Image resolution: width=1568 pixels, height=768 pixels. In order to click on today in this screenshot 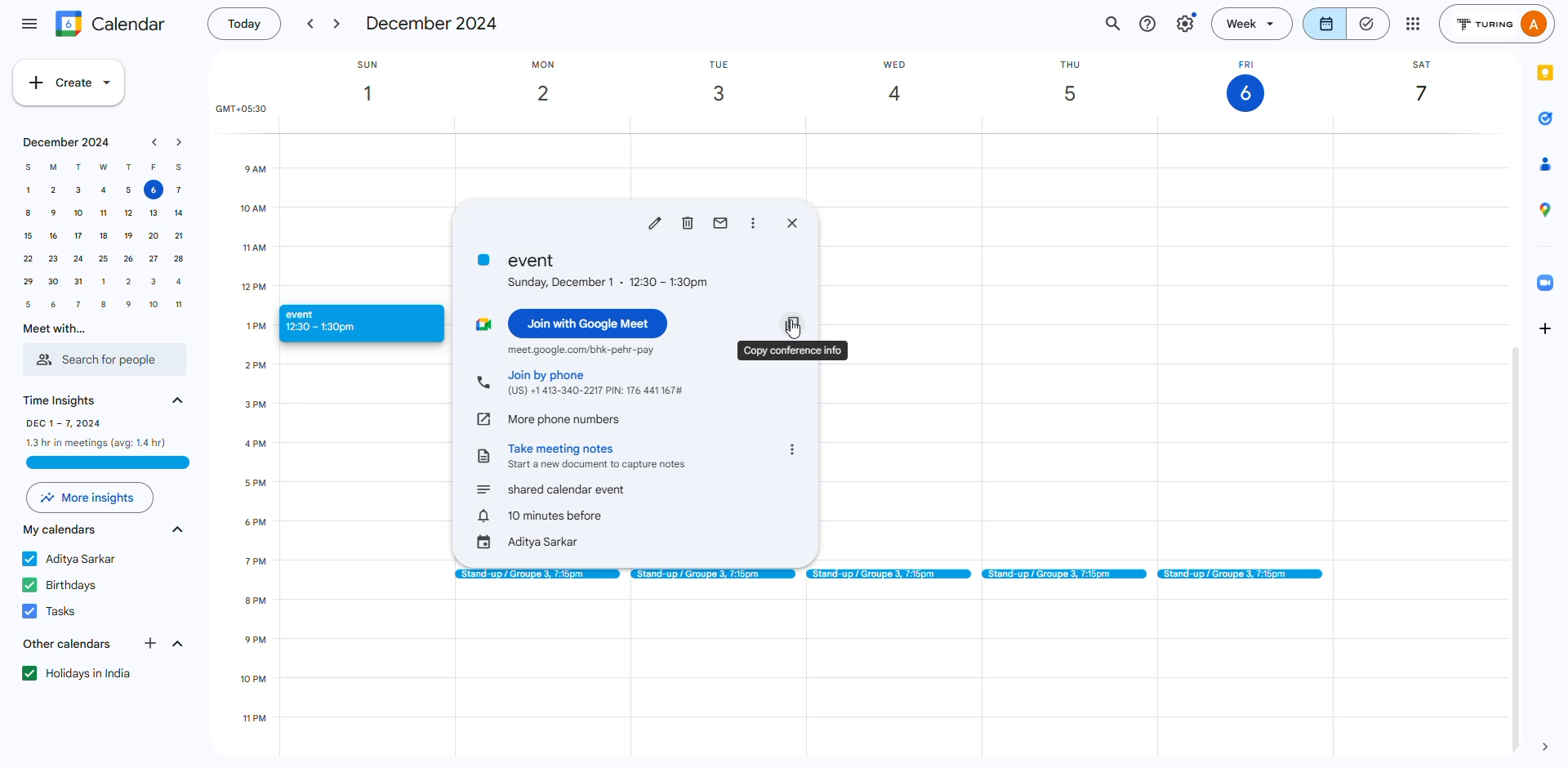, I will do `click(242, 25)`.